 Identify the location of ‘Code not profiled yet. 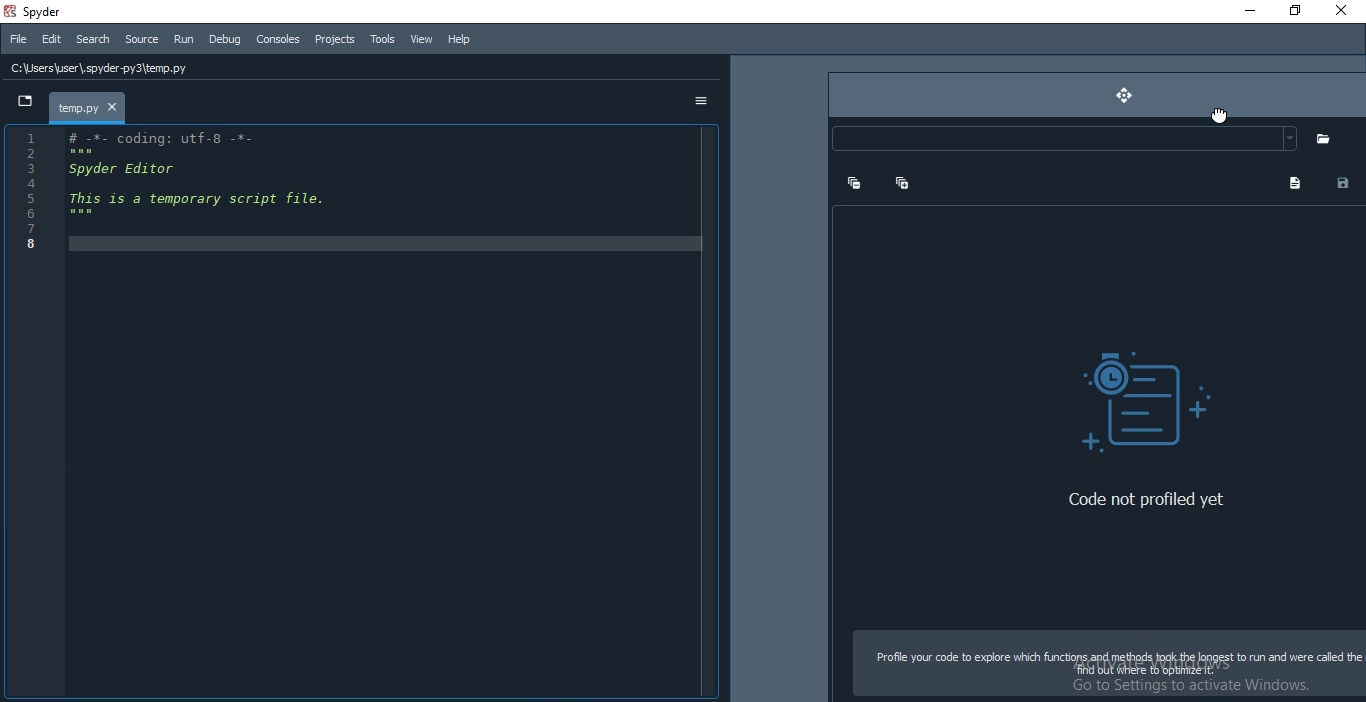
(1143, 500).